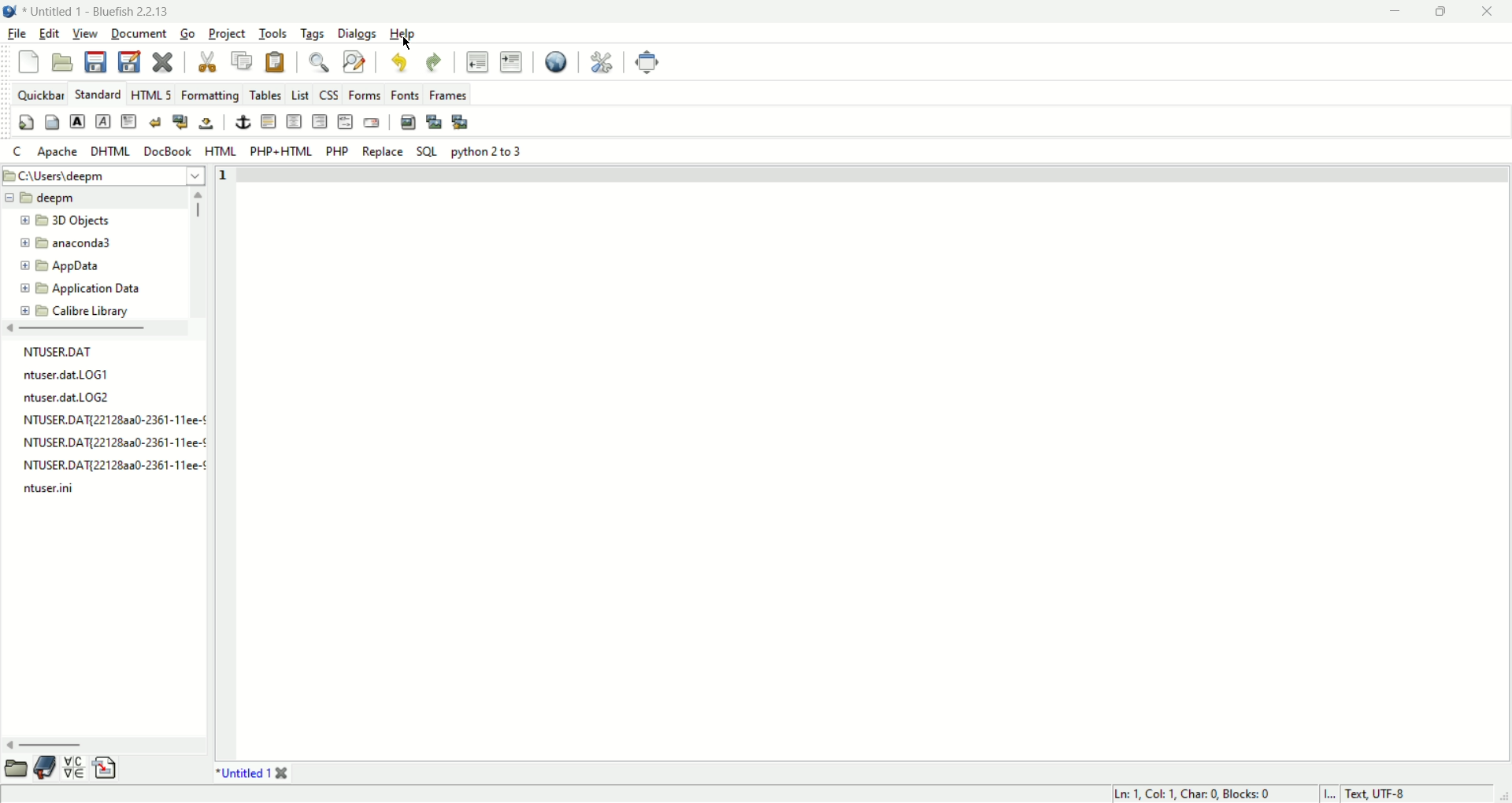 The image size is (1512, 803). I want to click on insert thumbnail, so click(435, 122).